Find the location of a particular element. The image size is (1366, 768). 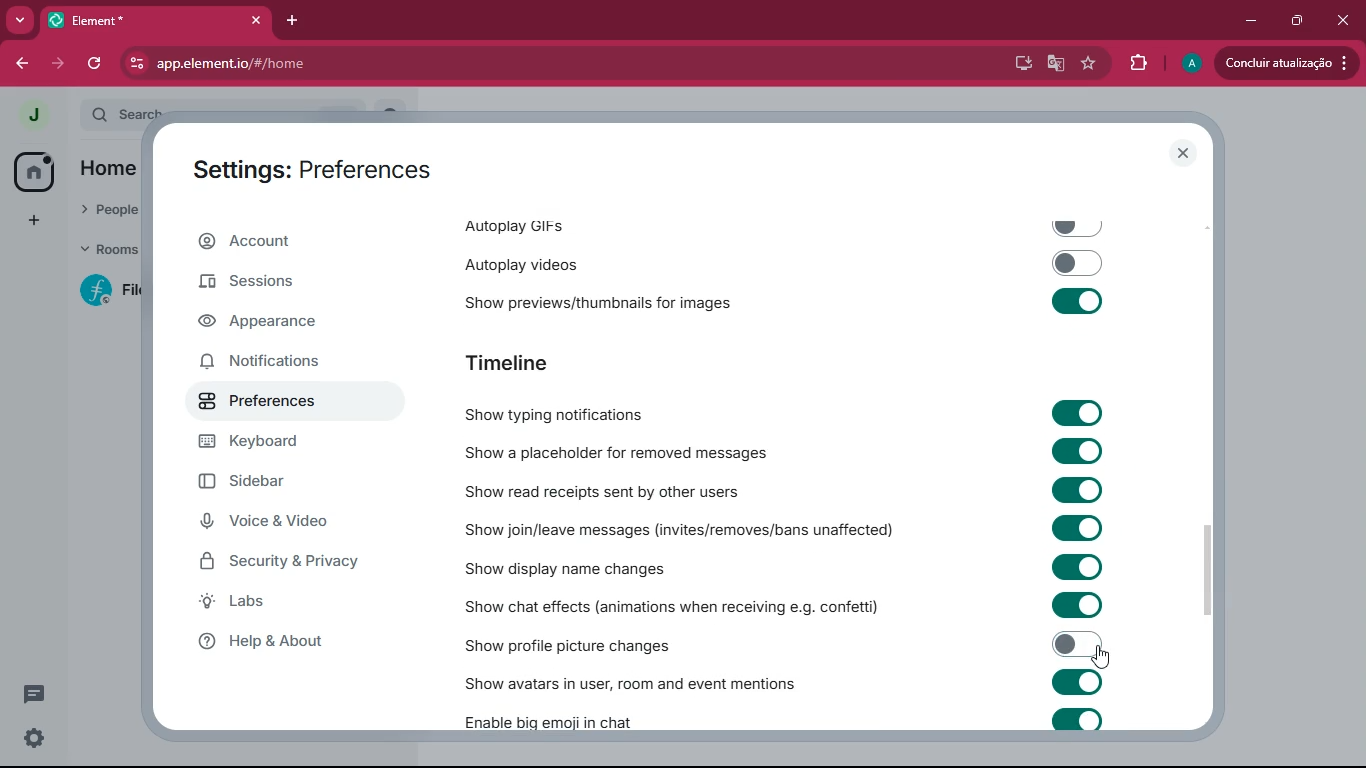

autoplay videos is located at coordinates (776, 266).